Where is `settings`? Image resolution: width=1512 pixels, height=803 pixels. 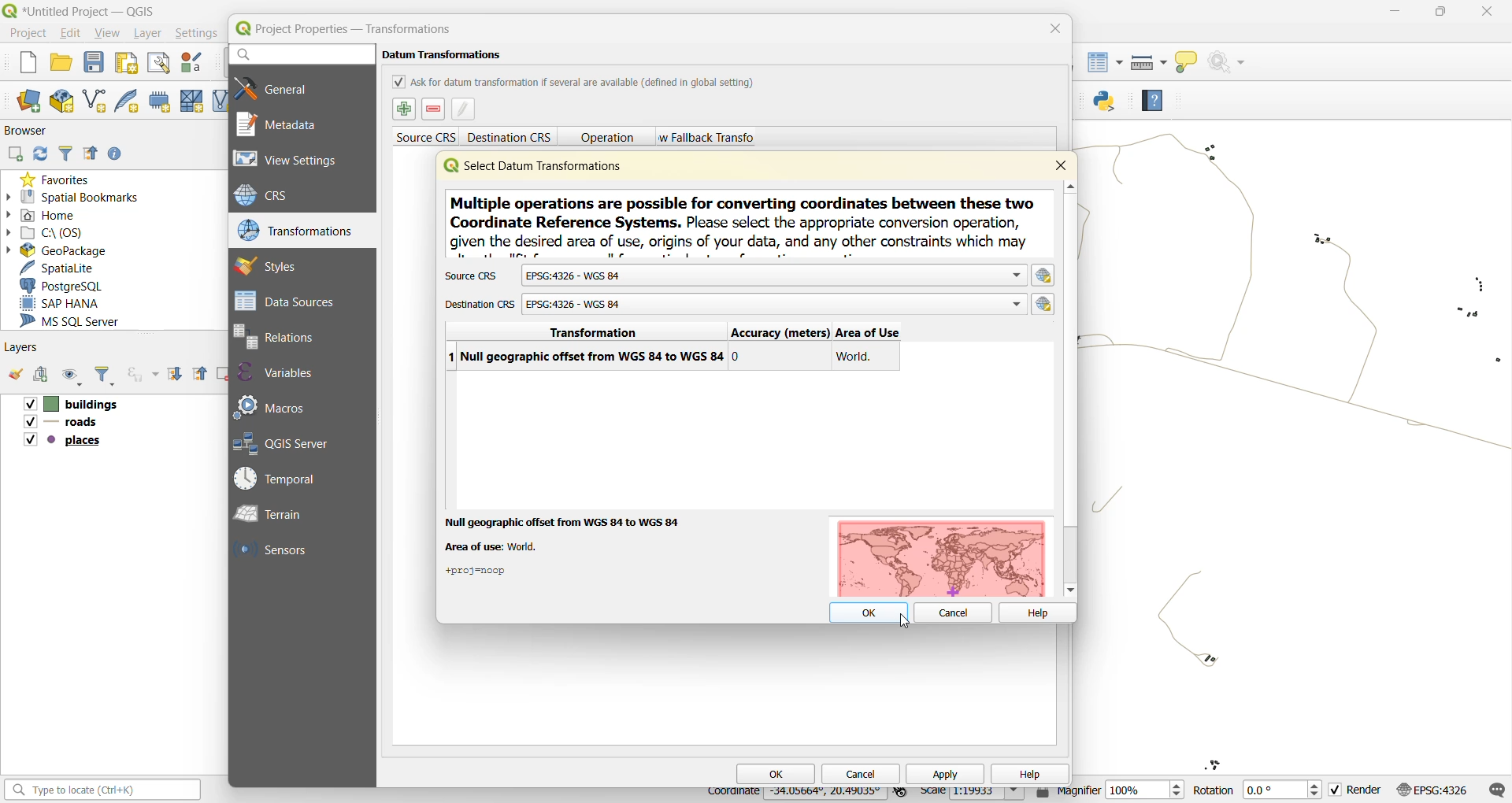 settings is located at coordinates (197, 35).